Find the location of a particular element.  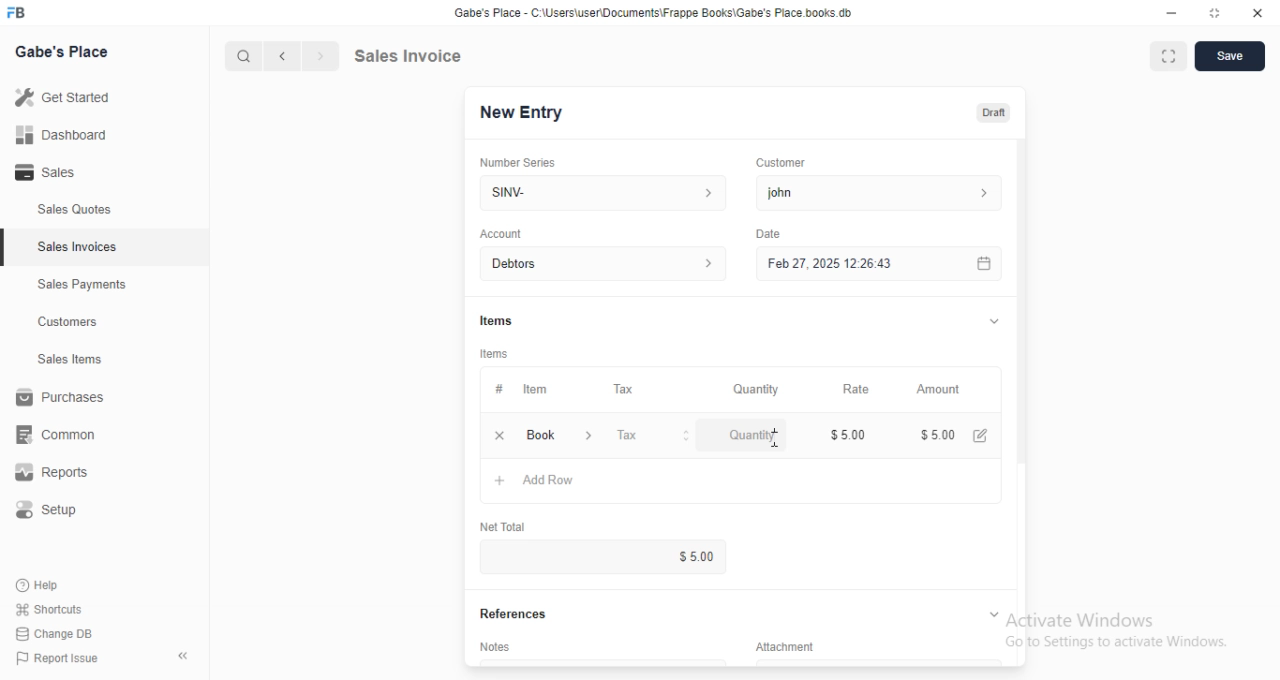

Net total is located at coordinates (501, 528).